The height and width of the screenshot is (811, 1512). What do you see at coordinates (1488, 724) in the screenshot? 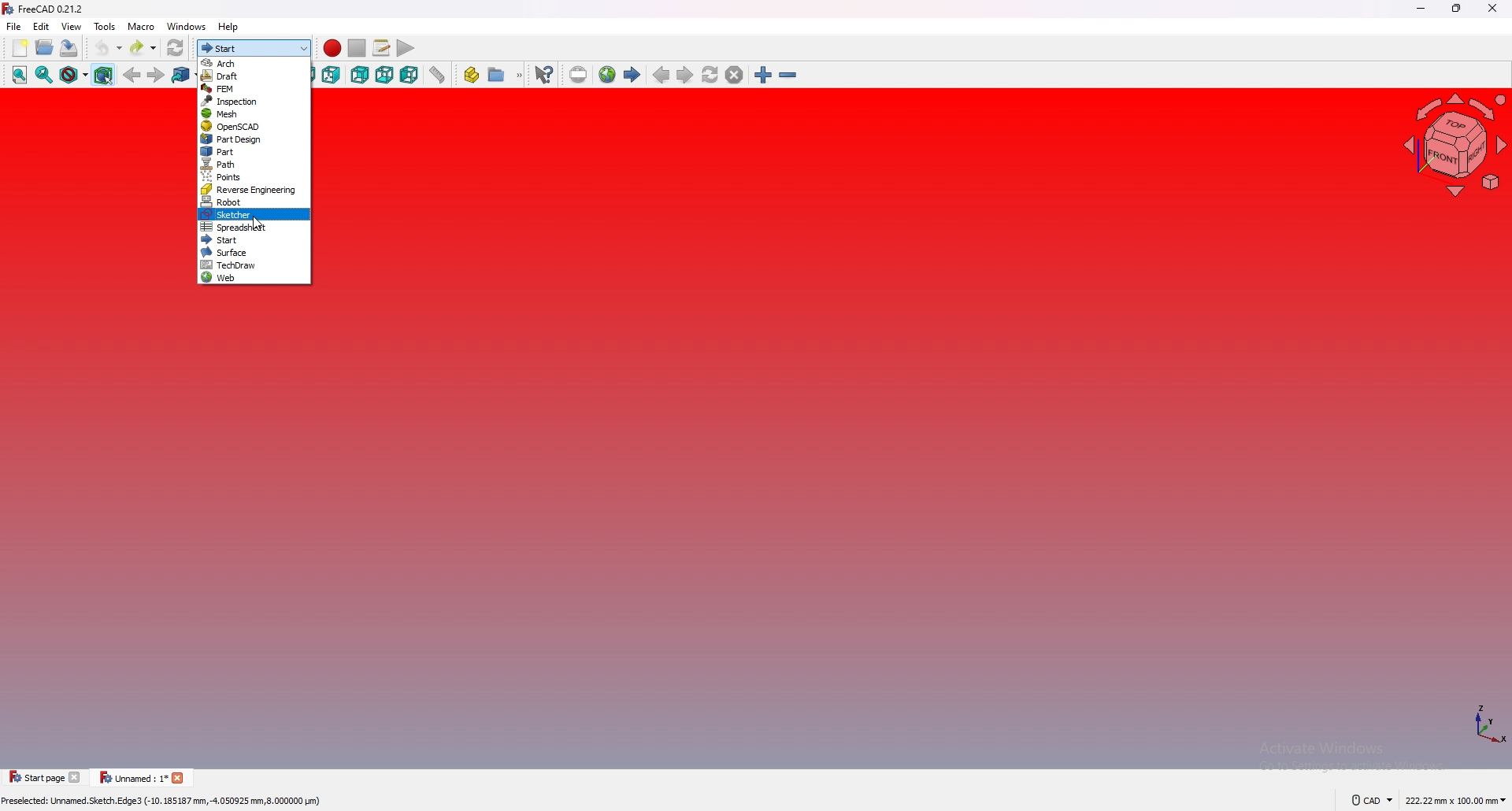
I see `axis` at bounding box center [1488, 724].